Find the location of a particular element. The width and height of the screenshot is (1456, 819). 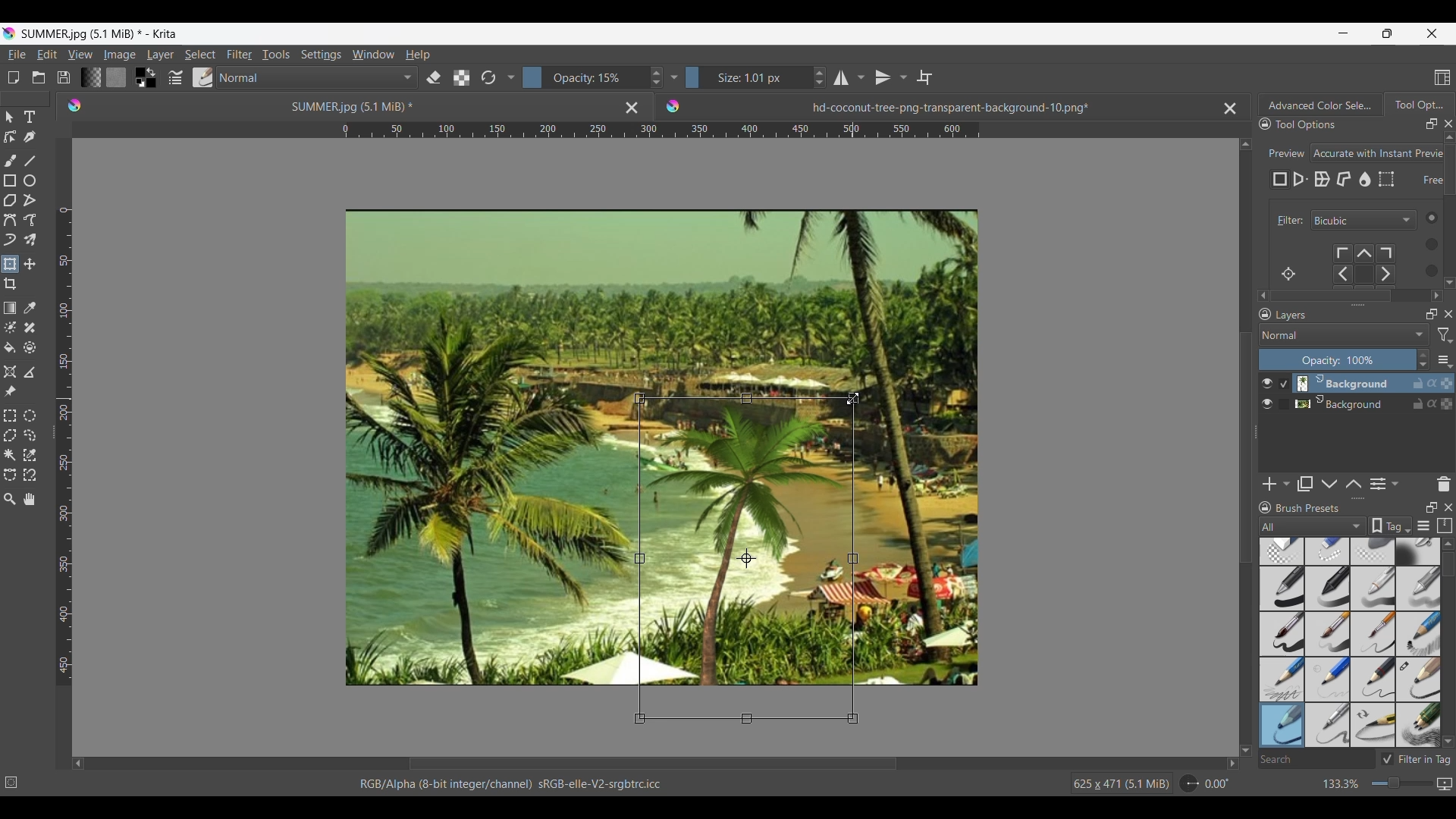

RGB/Alpha (8-bit integer/channel) sRGB-elle-V2-srgbtrc.icc is located at coordinates (518, 784).